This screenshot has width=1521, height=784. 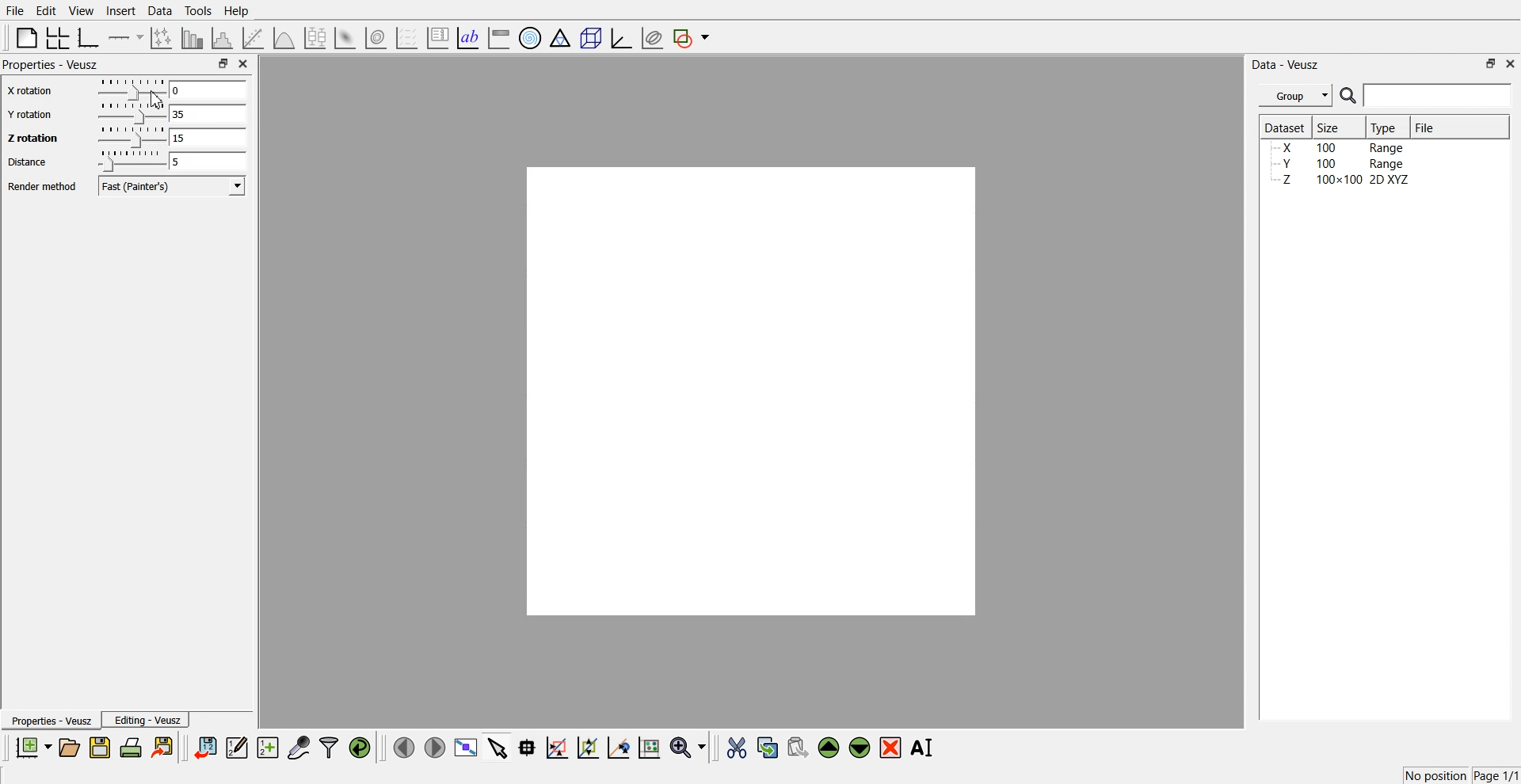 I want to click on Move down the selected widget, so click(x=860, y=748).